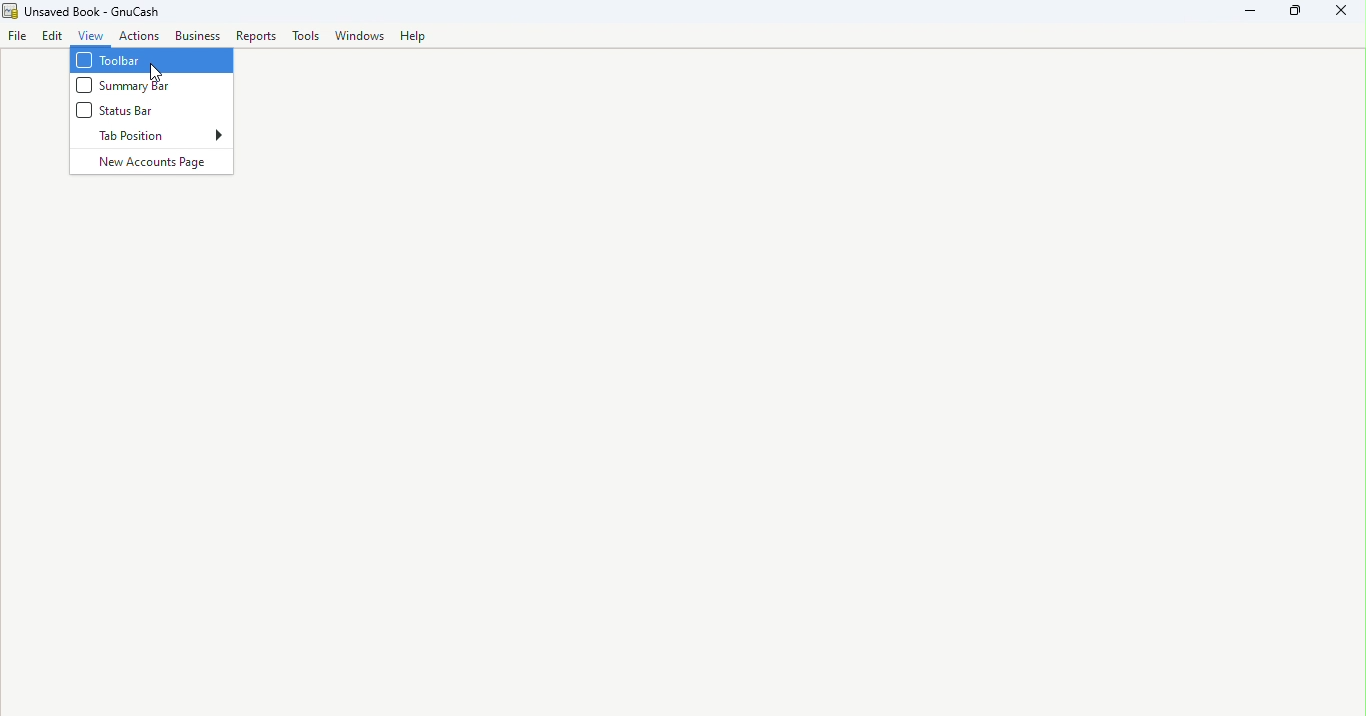 Image resolution: width=1366 pixels, height=716 pixels. Describe the element at coordinates (1300, 12) in the screenshot. I see `Maximize` at that location.